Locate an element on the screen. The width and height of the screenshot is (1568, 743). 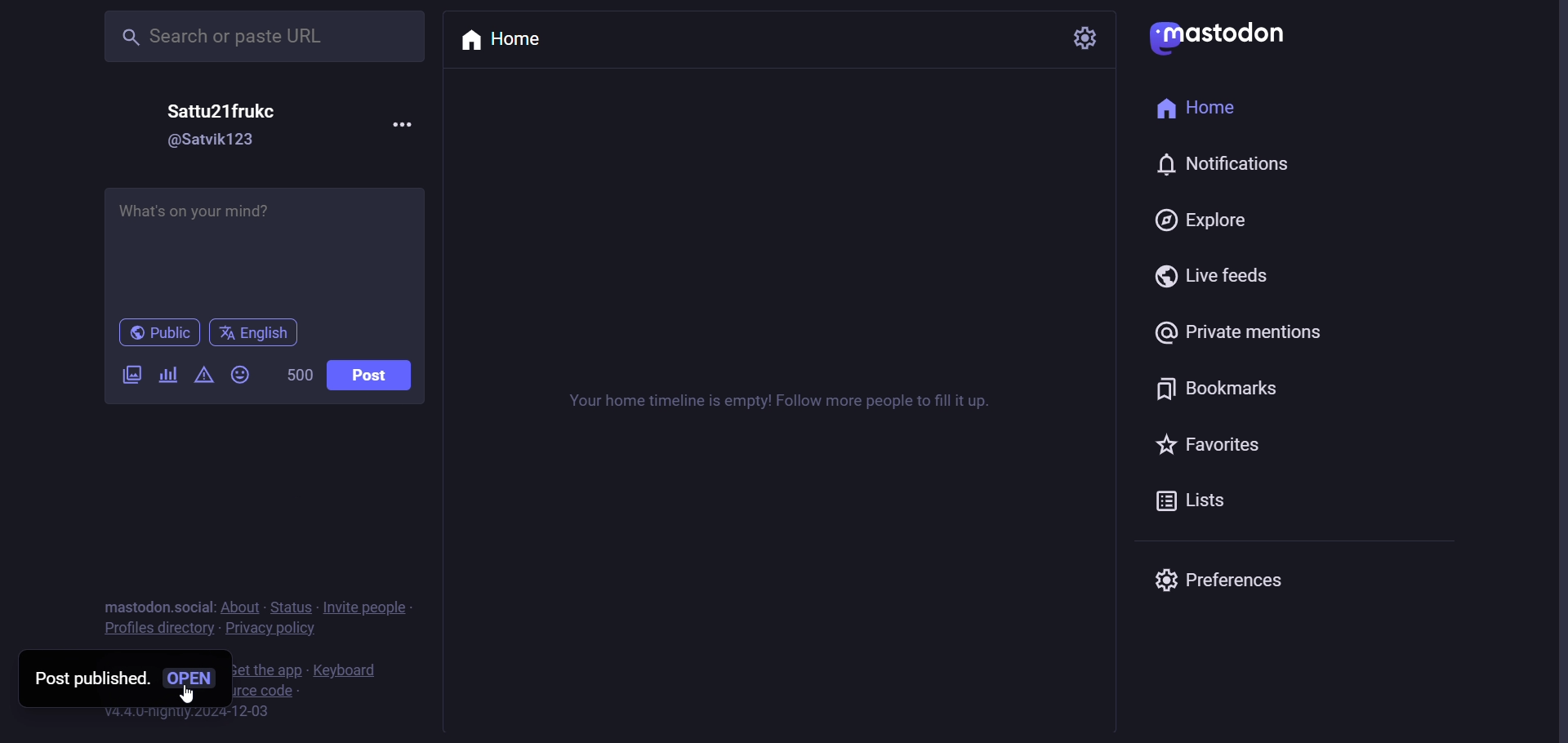
notification is located at coordinates (1226, 167).